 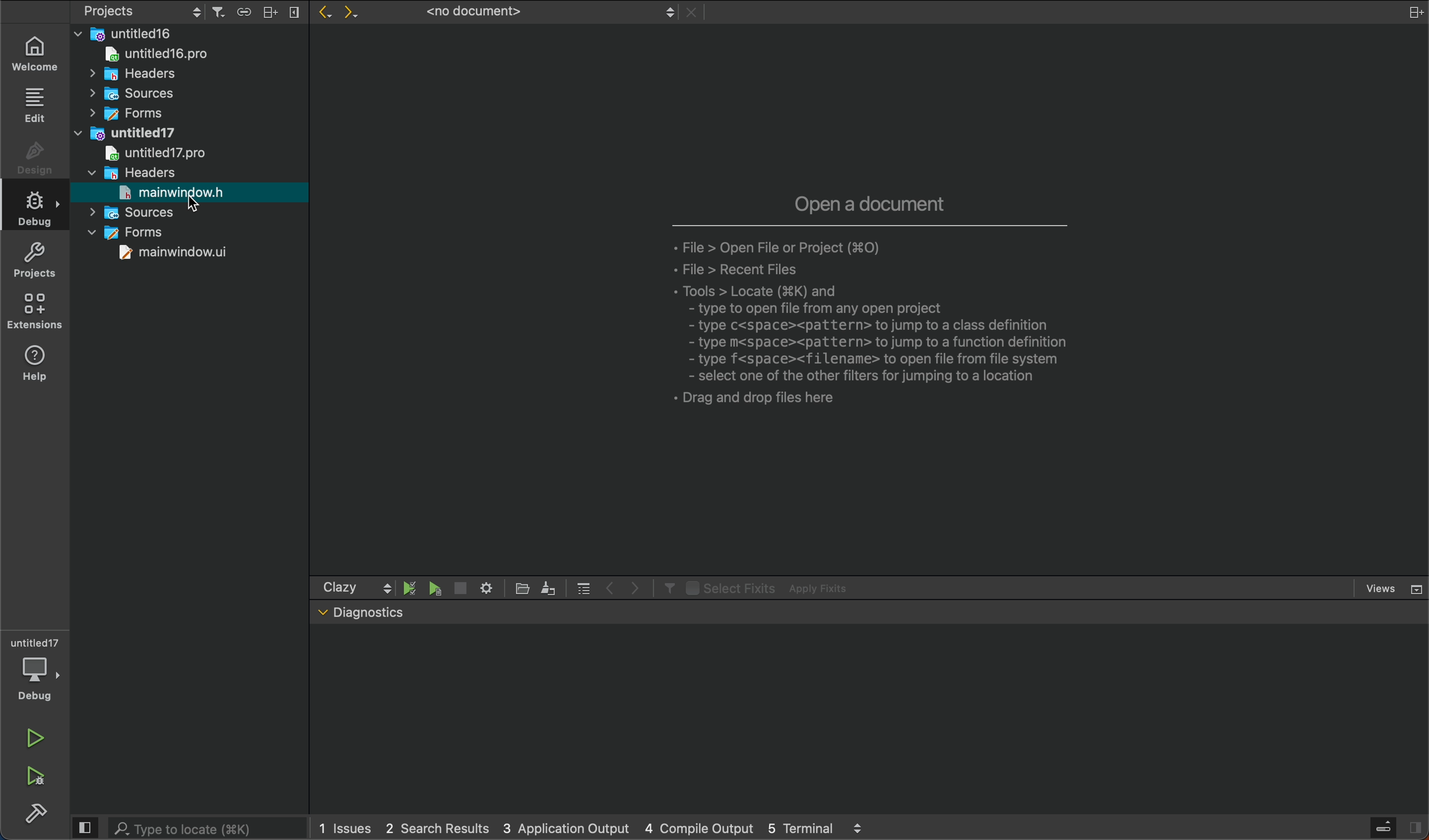 What do you see at coordinates (564, 826) in the screenshot?
I see `3 Application Output` at bounding box center [564, 826].